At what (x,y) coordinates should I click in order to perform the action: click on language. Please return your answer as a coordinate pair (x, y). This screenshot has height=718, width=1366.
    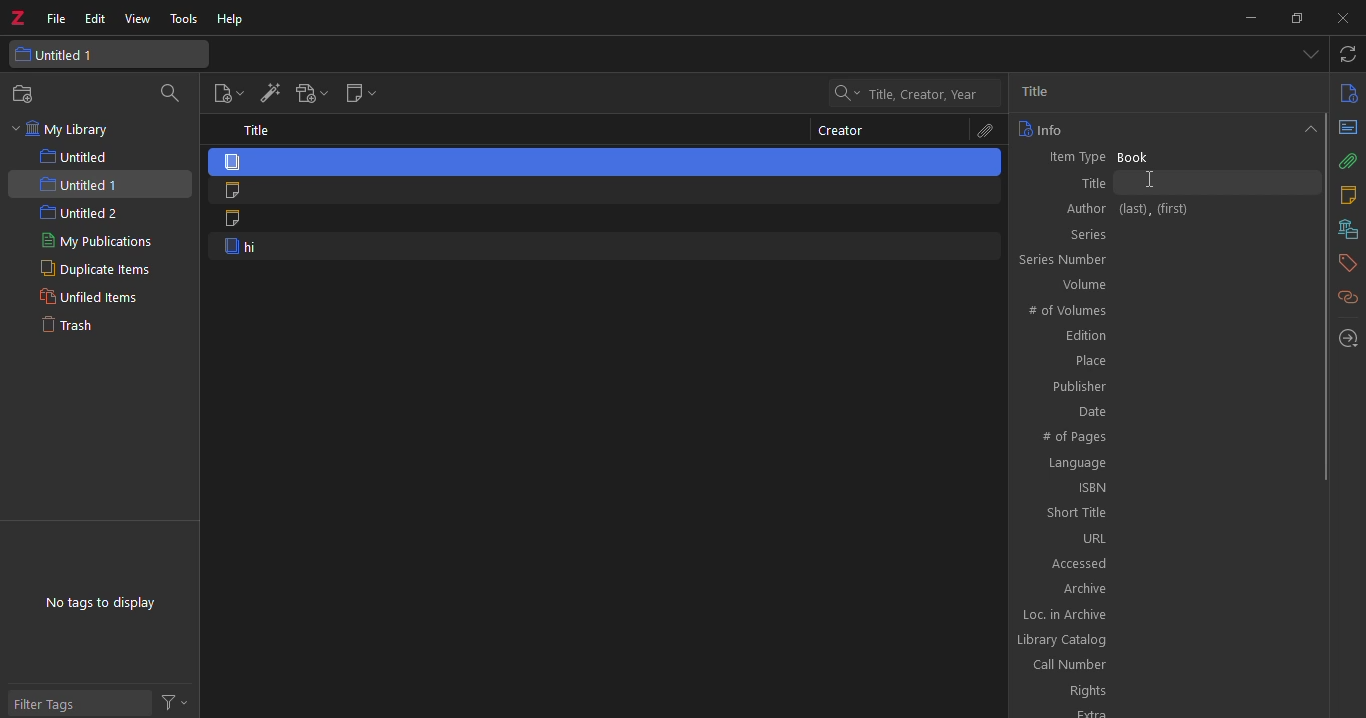
    Looking at the image, I should click on (1164, 464).